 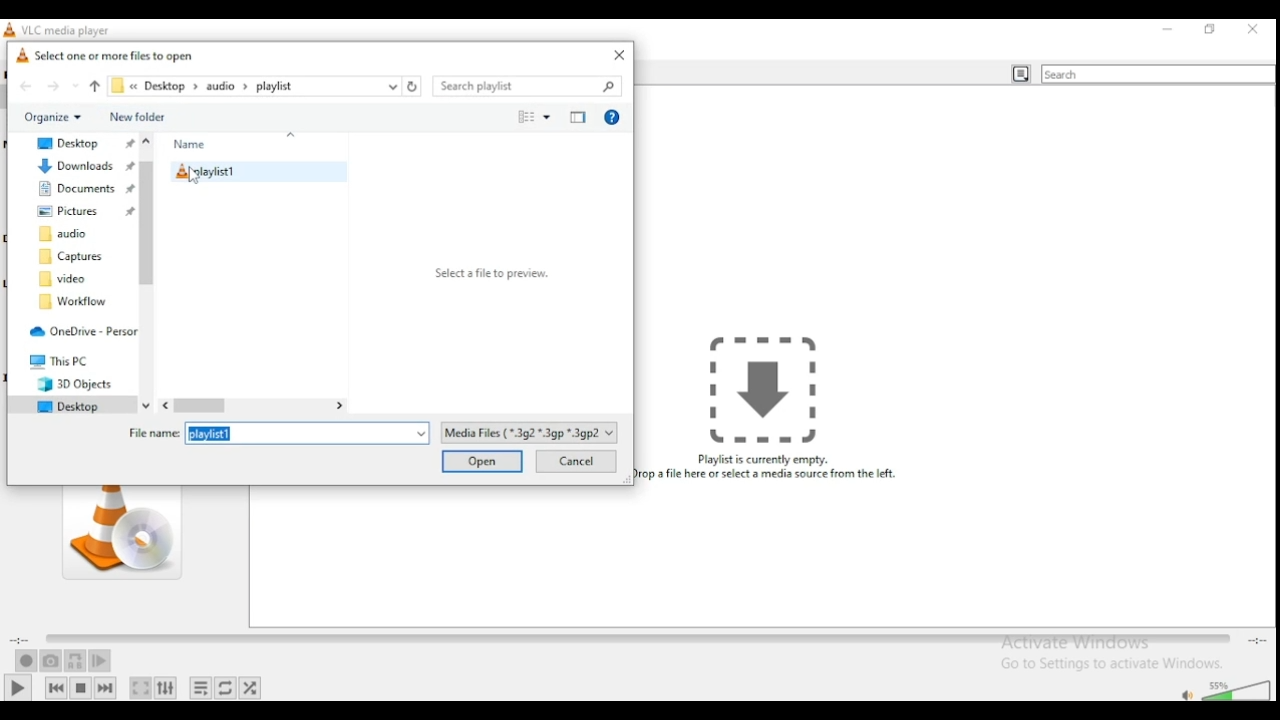 What do you see at coordinates (256, 174) in the screenshot?
I see `playlist 1` at bounding box center [256, 174].